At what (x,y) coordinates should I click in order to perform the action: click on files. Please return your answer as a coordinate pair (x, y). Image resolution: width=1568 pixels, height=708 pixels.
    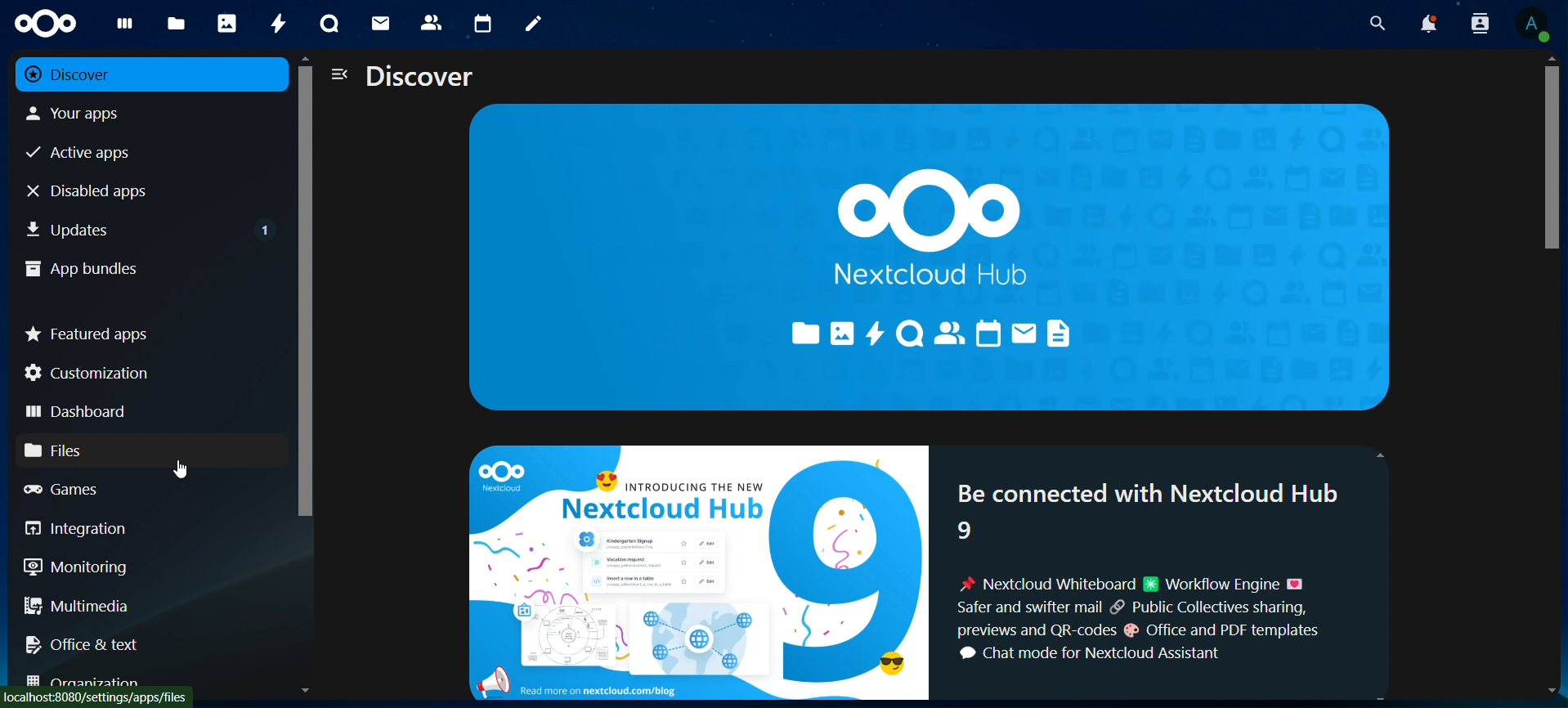
    Looking at the image, I should click on (179, 23).